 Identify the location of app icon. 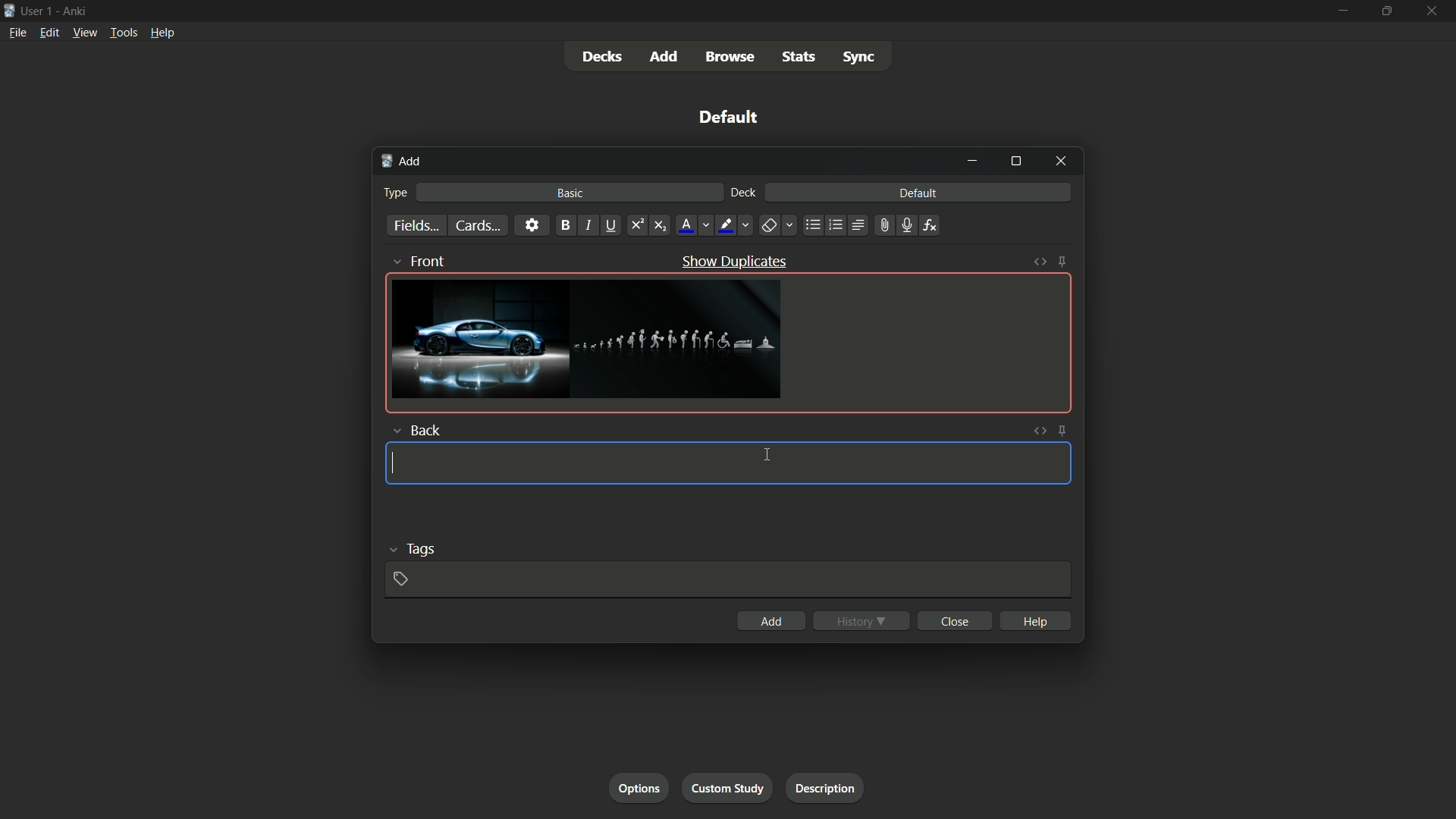
(9, 11).